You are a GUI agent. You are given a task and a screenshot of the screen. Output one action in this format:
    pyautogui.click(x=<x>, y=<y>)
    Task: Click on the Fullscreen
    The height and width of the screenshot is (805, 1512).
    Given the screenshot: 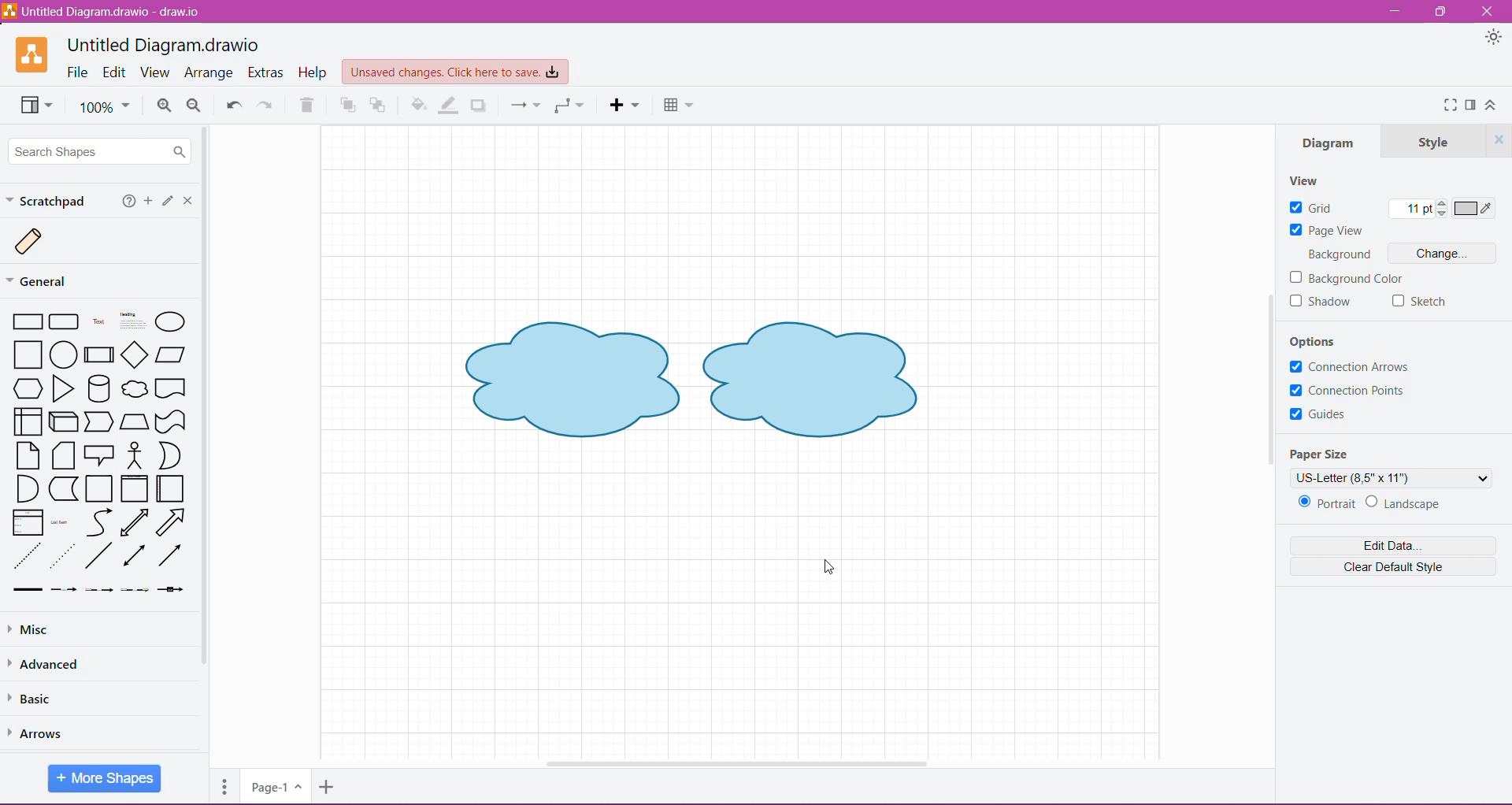 What is the action you would take?
    pyautogui.click(x=1447, y=106)
    